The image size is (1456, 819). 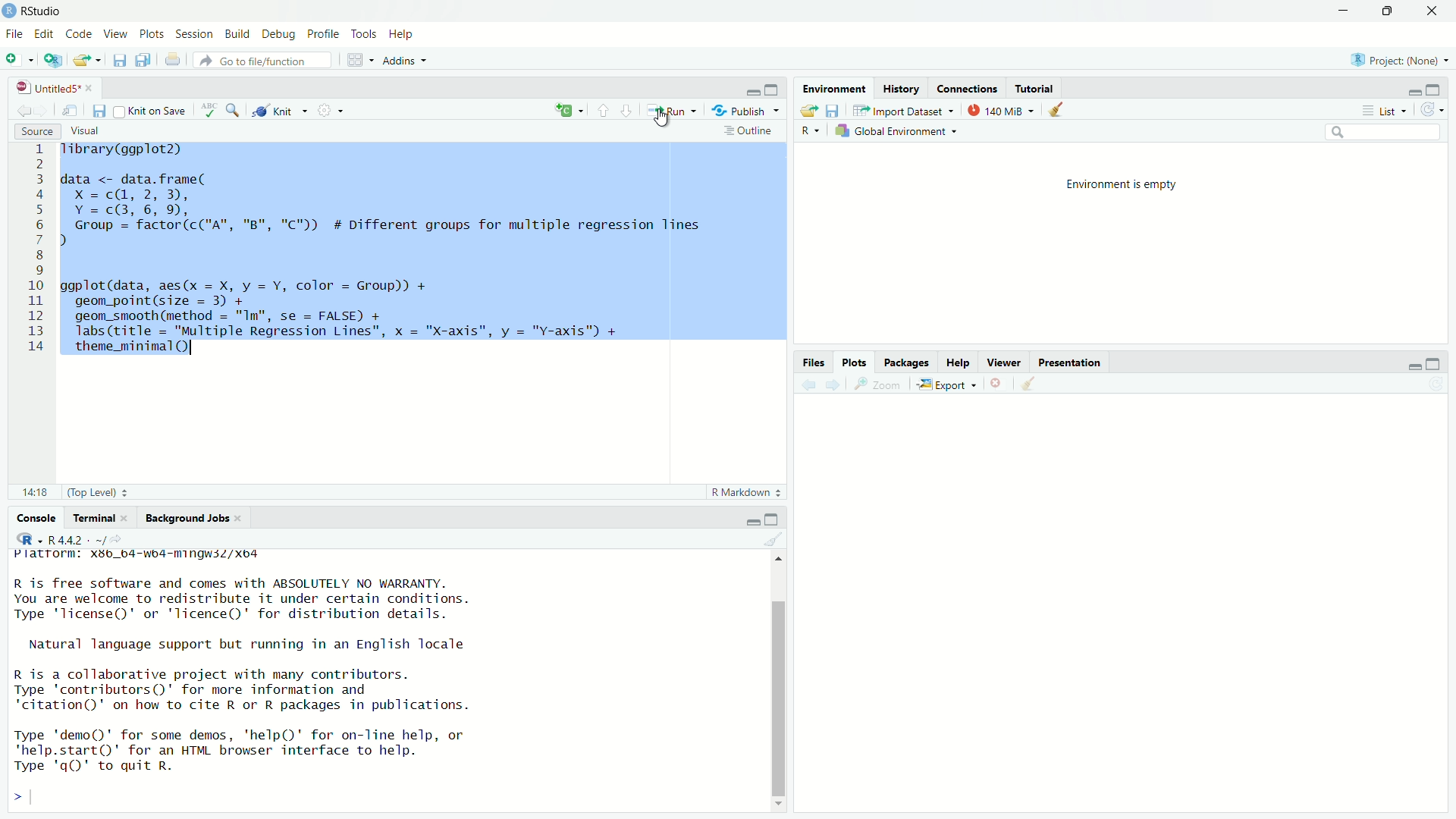 What do you see at coordinates (809, 110) in the screenshot?
I see `export` at bounding box center [809, 110].